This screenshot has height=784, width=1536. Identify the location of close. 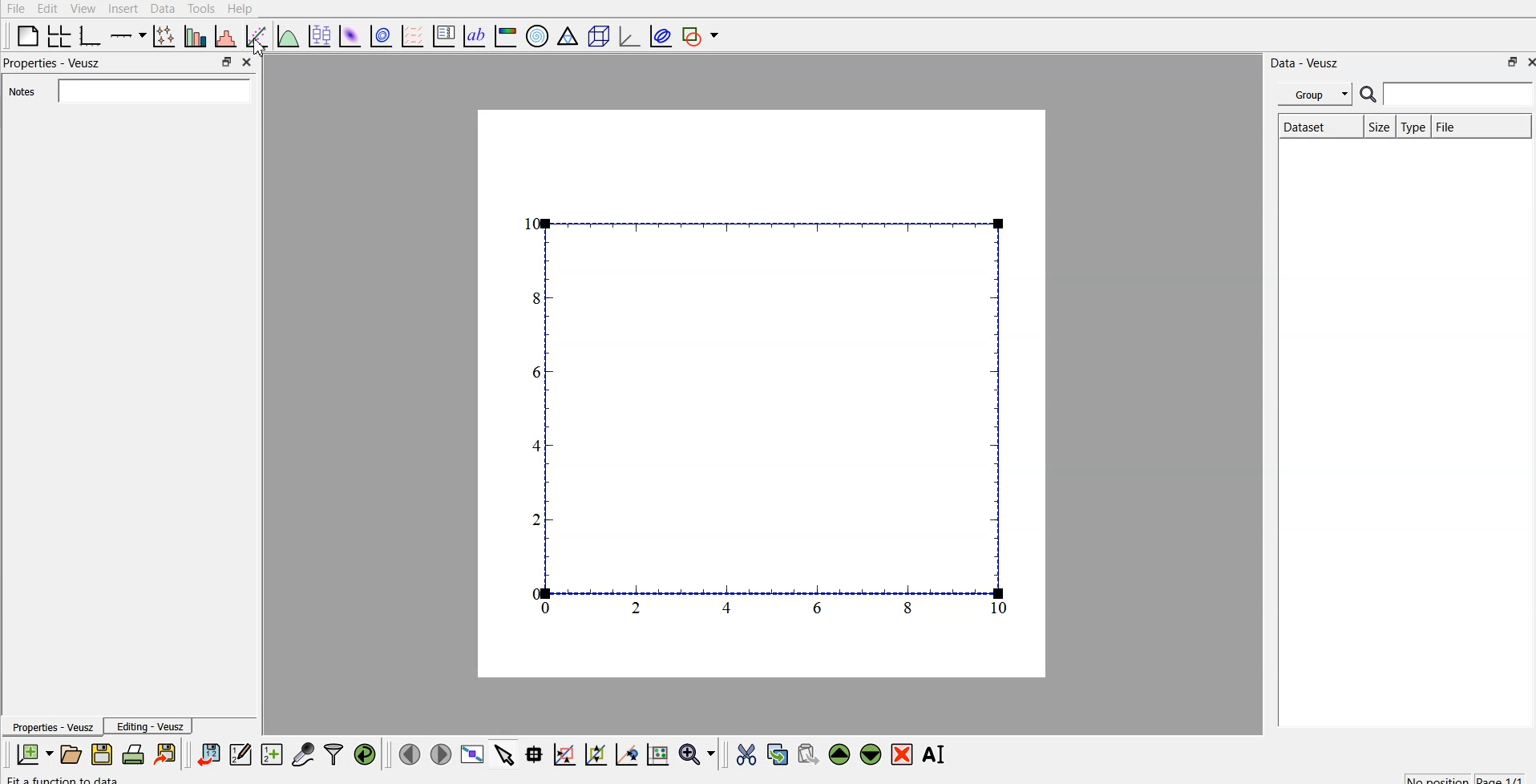
(249, 63).